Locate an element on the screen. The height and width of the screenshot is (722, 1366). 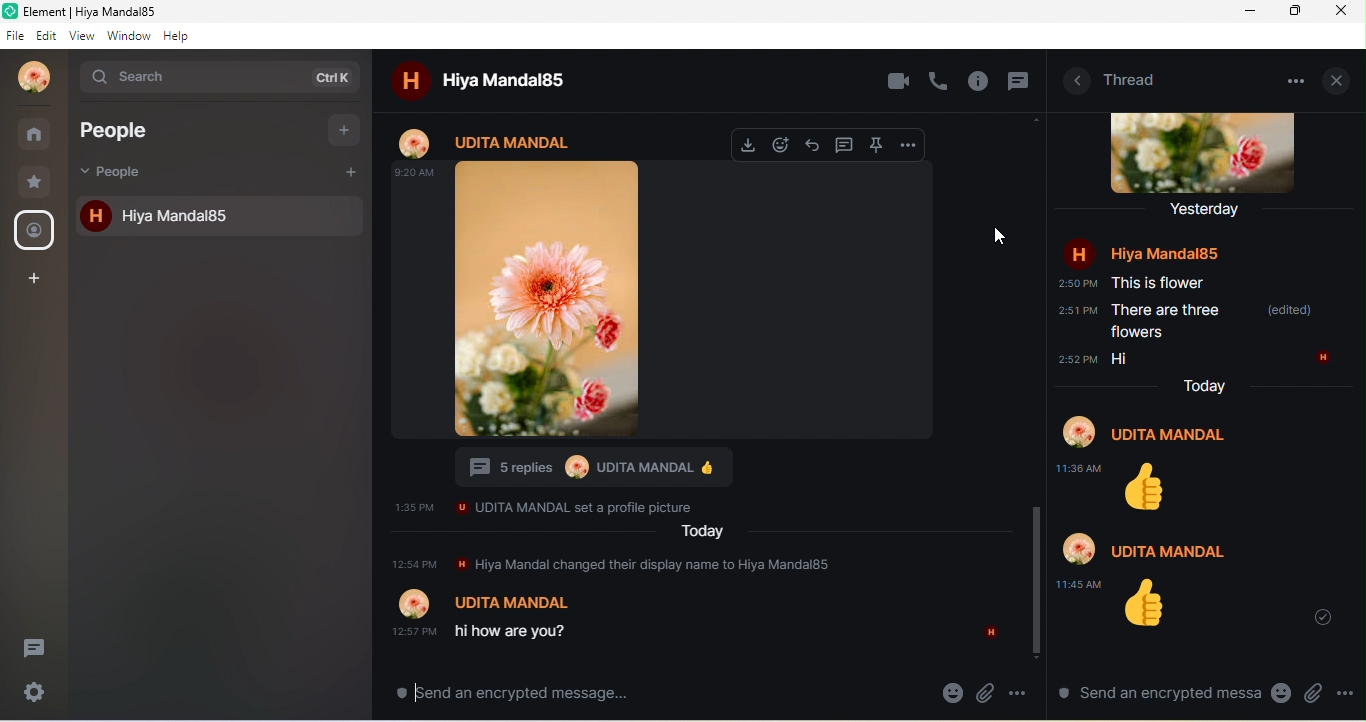
thread is located at coordinates (1133, 79).